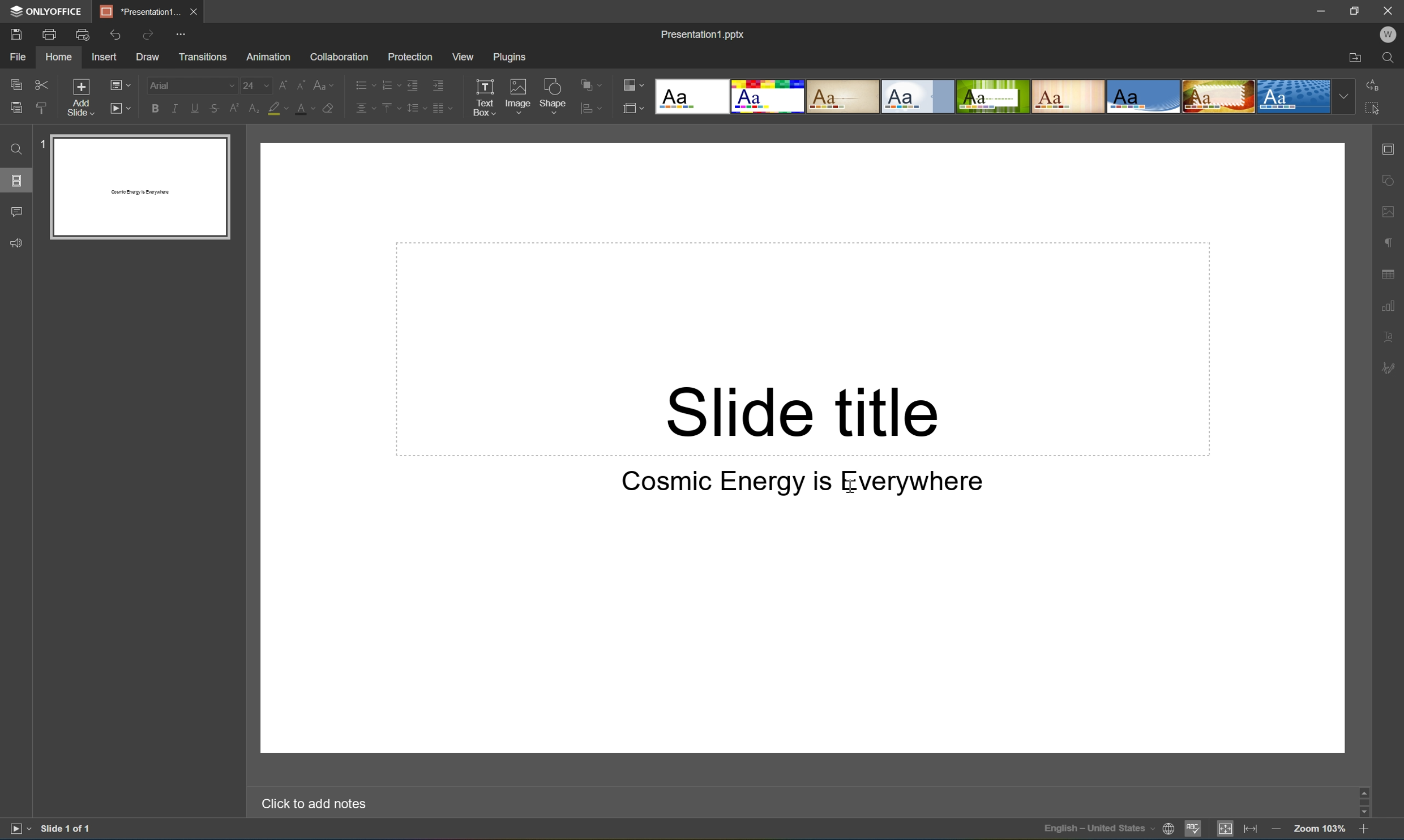 This screenshot has height=840, width=1404. I want to click on Welcome, so click(1391, 33).